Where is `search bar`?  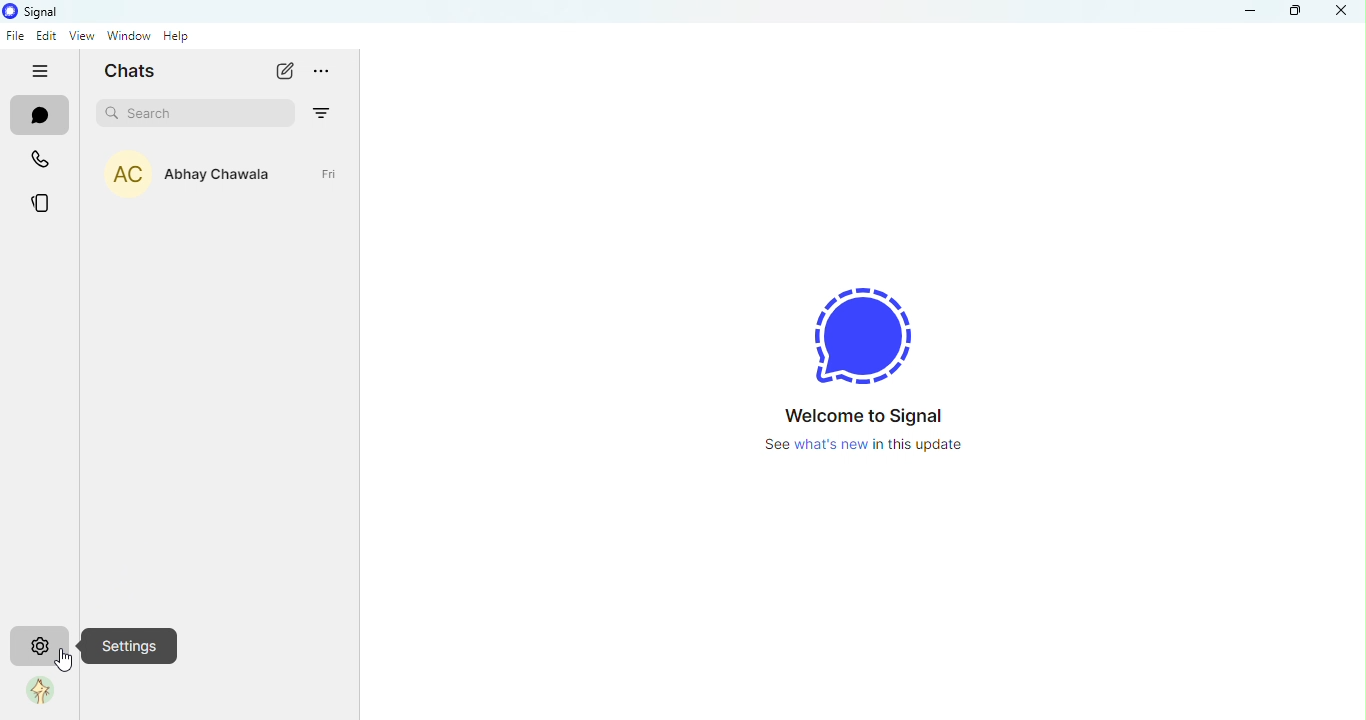 search bar is located at coordinates (200, 113).